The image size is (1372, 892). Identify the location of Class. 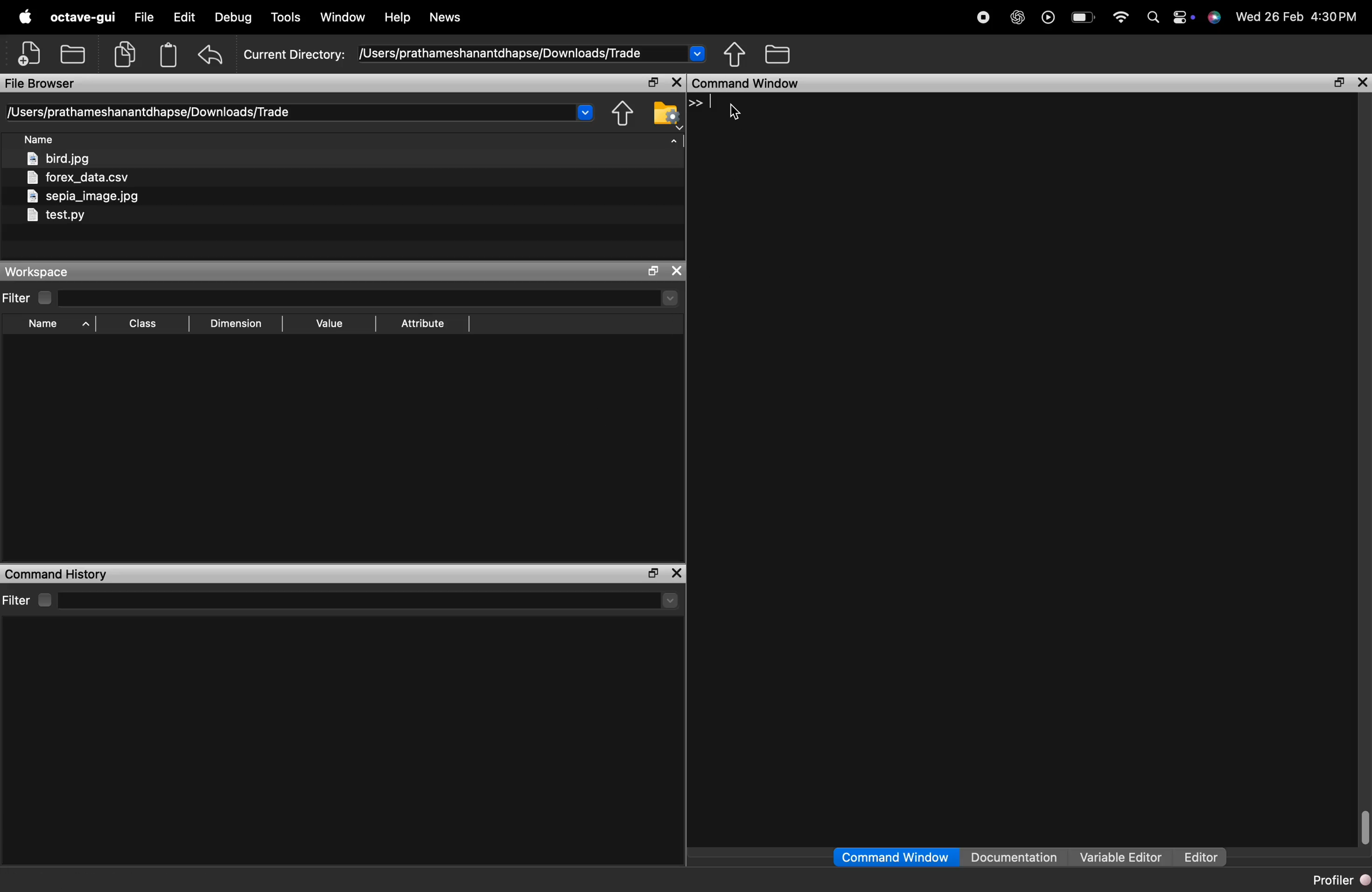
(144, 324).